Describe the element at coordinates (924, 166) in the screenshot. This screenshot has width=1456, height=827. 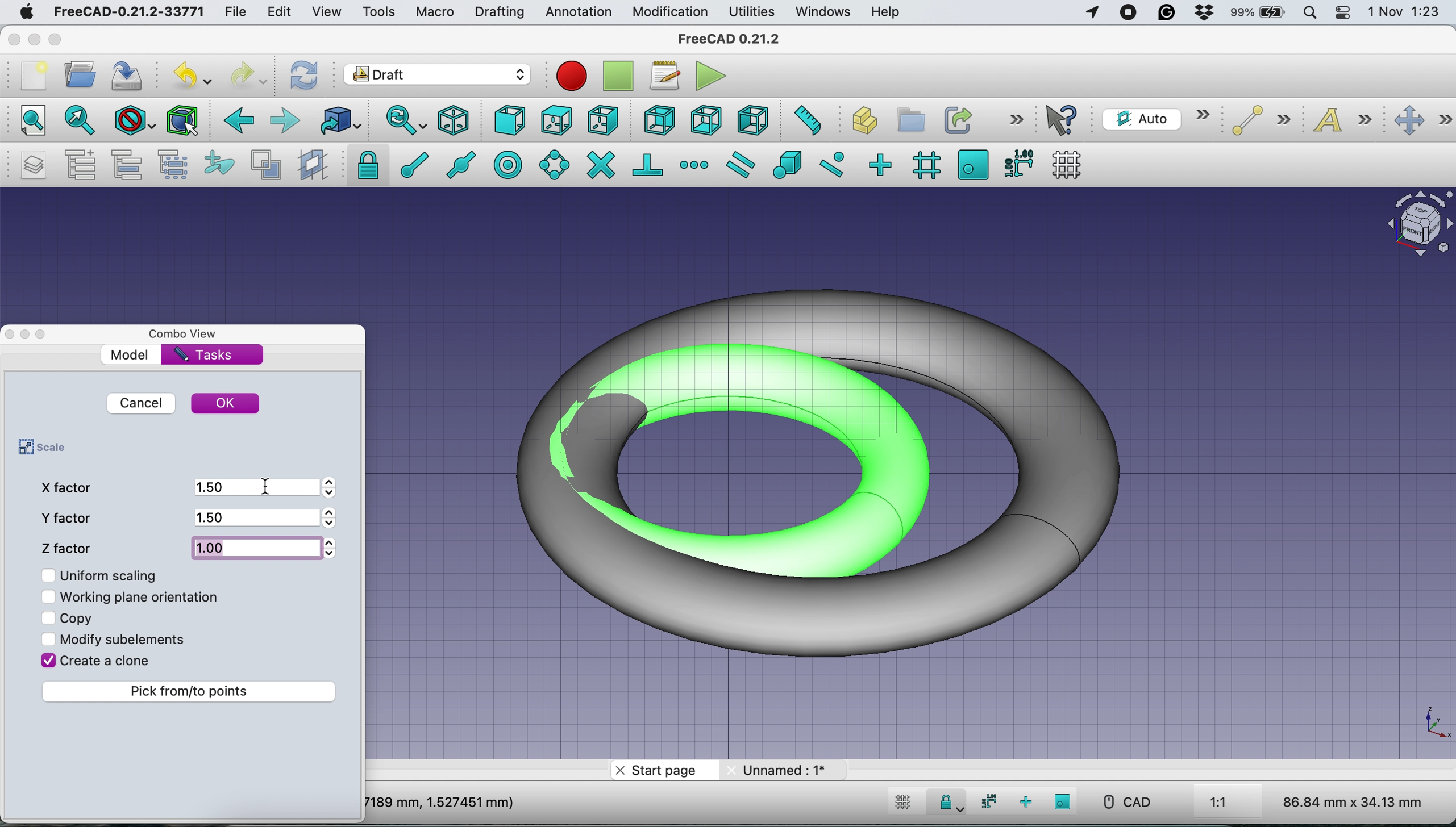
I see `snap grid` at that location.